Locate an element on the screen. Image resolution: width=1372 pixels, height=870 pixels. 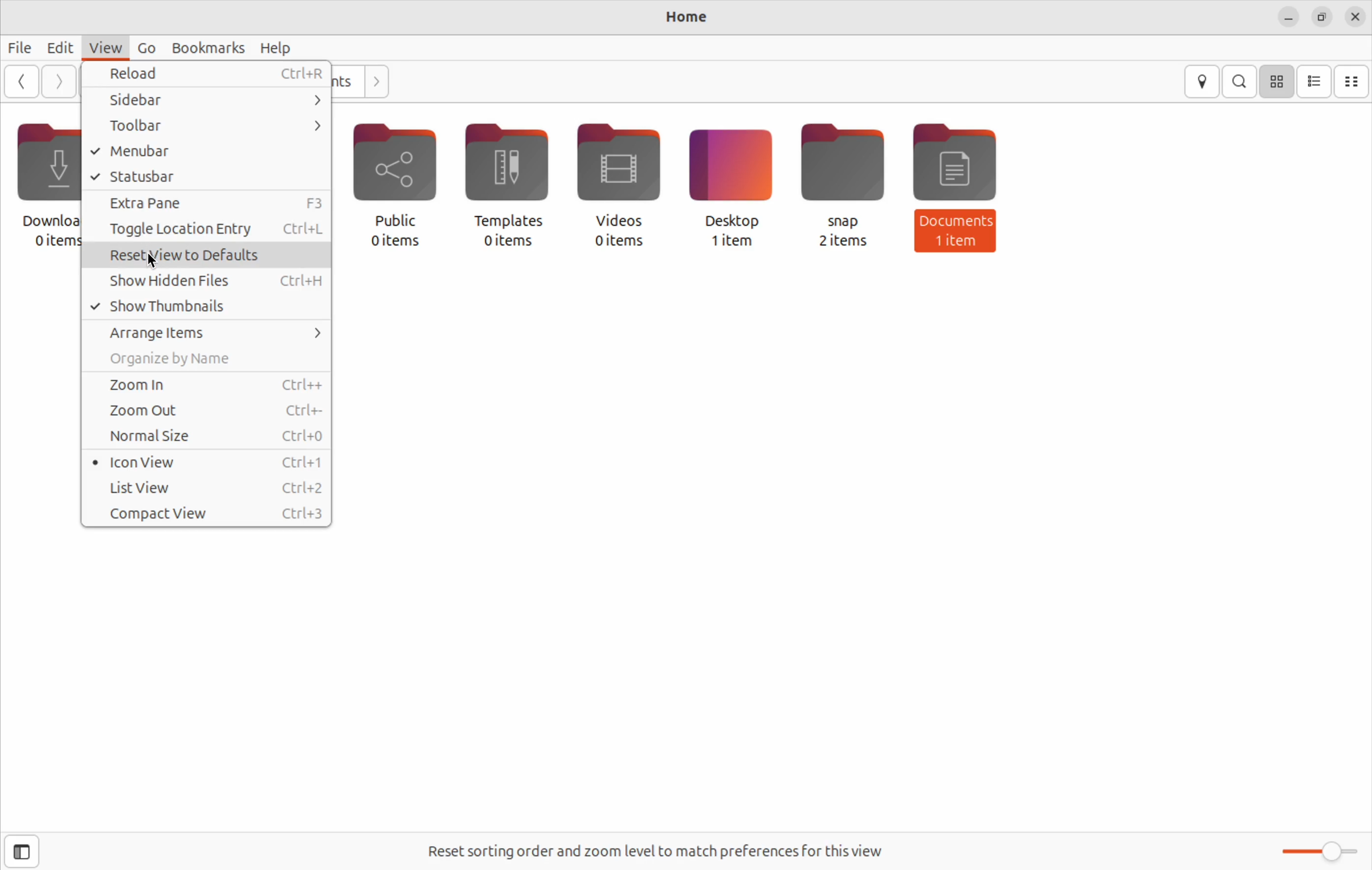
Arrange Items is located at coordinates (207, 331).